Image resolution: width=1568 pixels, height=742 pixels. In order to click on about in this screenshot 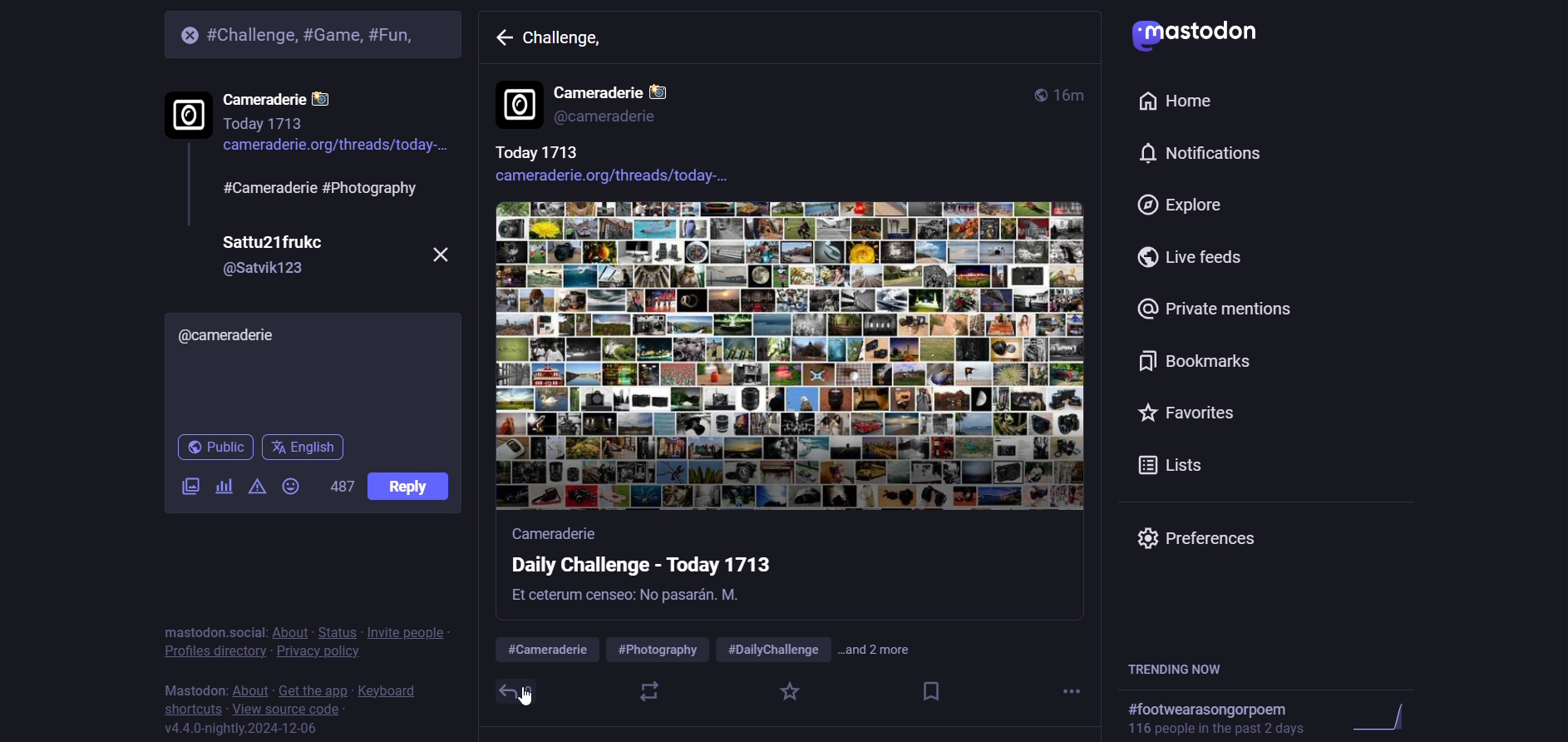, I will do `click(288, 631)`.